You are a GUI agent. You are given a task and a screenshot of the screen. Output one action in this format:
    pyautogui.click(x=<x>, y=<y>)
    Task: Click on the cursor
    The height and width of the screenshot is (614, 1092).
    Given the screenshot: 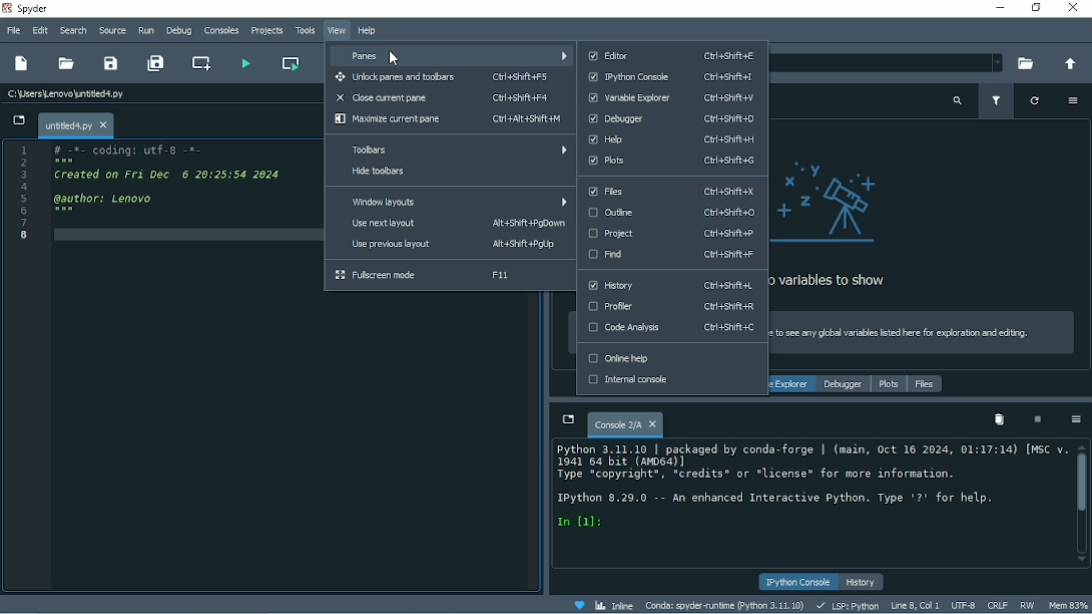 What is the action you would take?
    pyautogui.click(x=392, y=58)
    